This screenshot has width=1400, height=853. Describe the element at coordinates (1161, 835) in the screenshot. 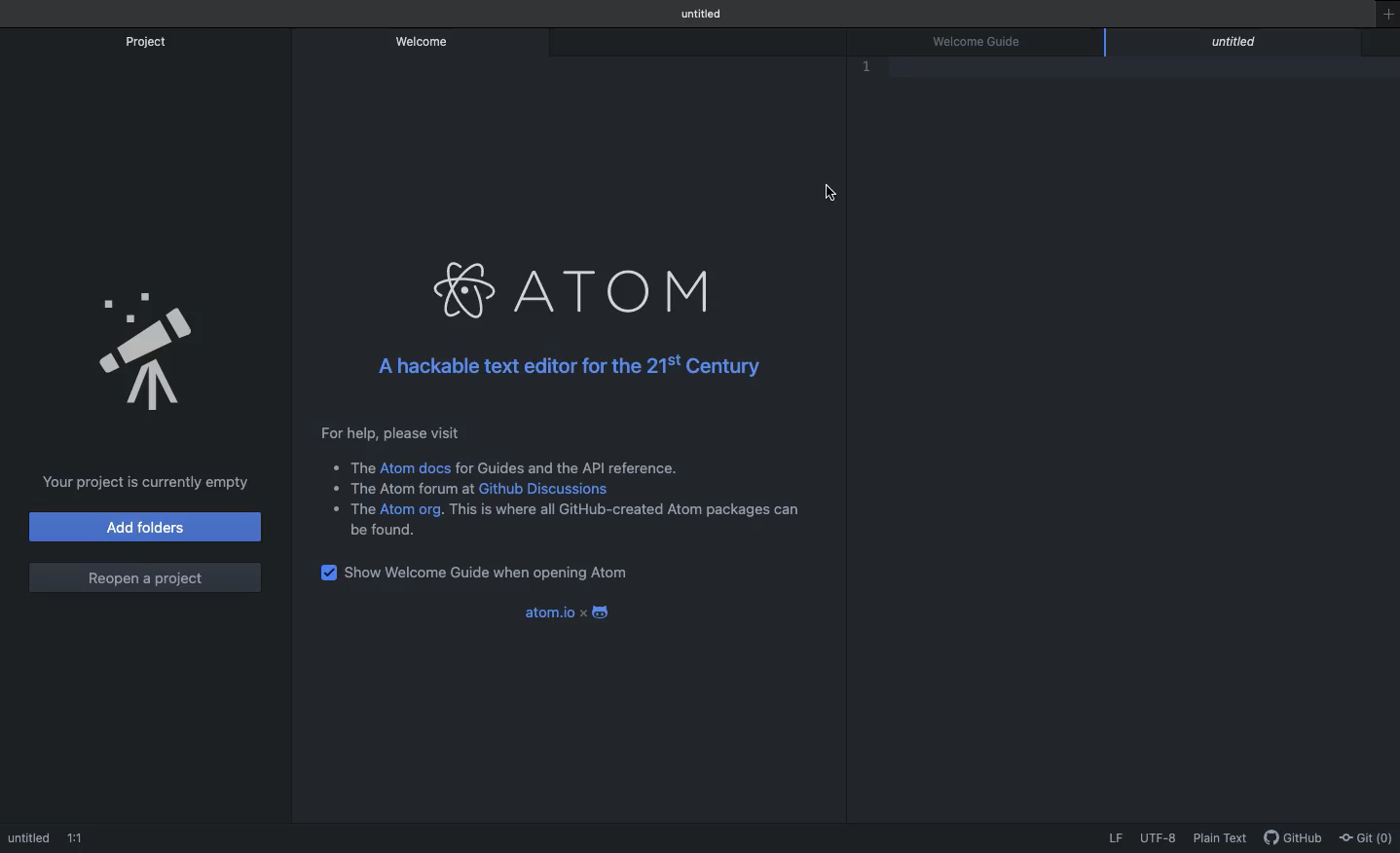

I see `UTF-8` at that location.